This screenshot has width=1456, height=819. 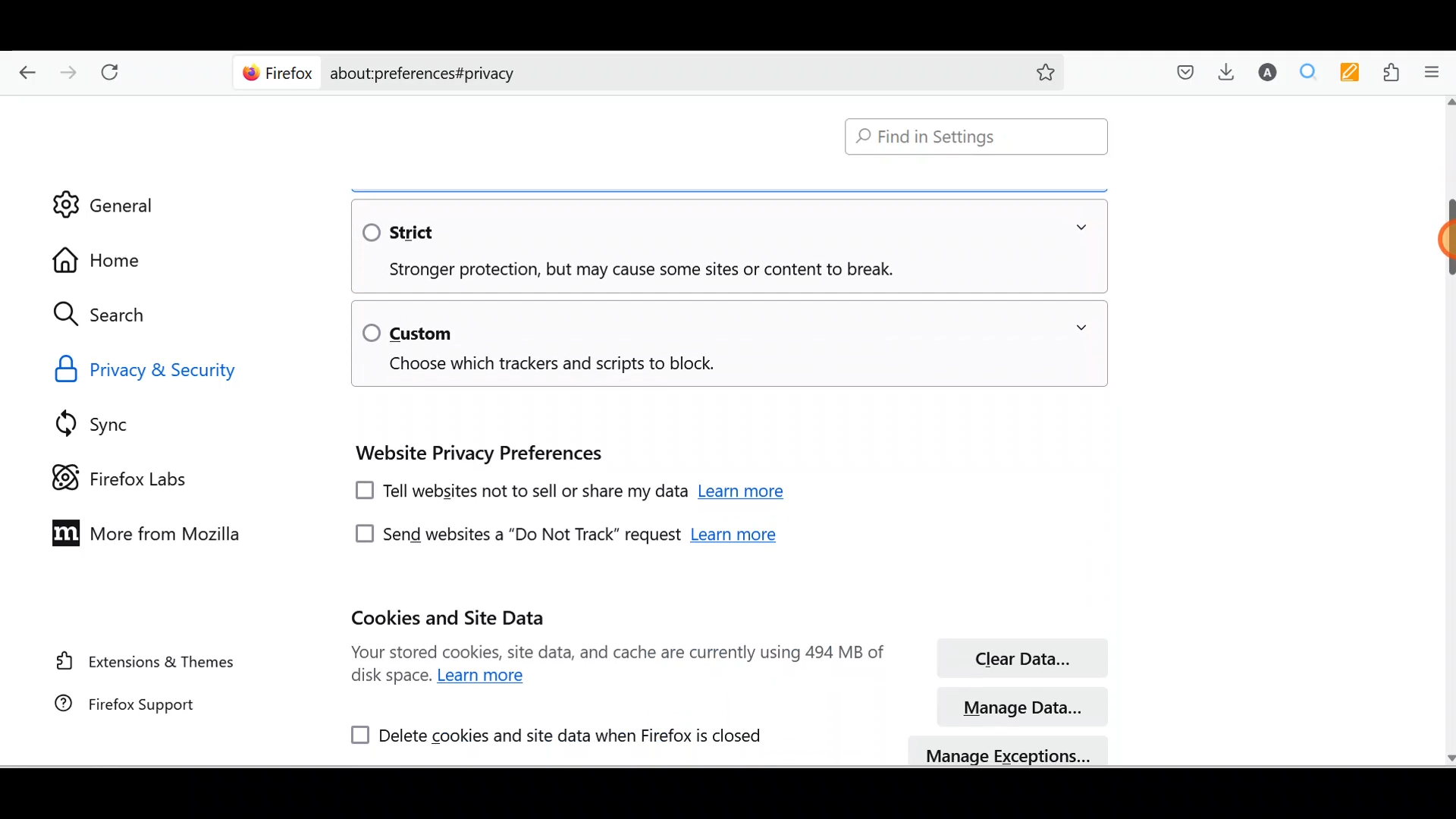 I want to click on Privacy & Security, so click(x=159, y=370).